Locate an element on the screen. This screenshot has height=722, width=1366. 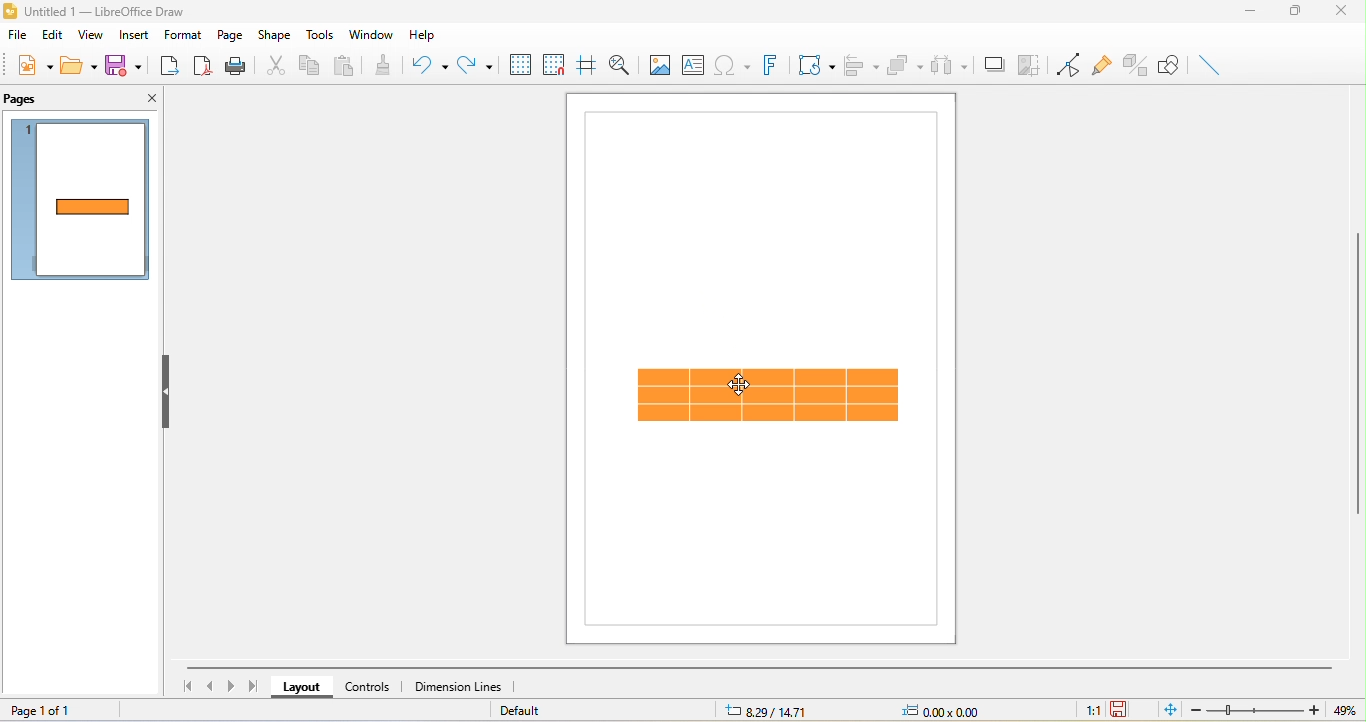
table is located at coordinates (773, 397).